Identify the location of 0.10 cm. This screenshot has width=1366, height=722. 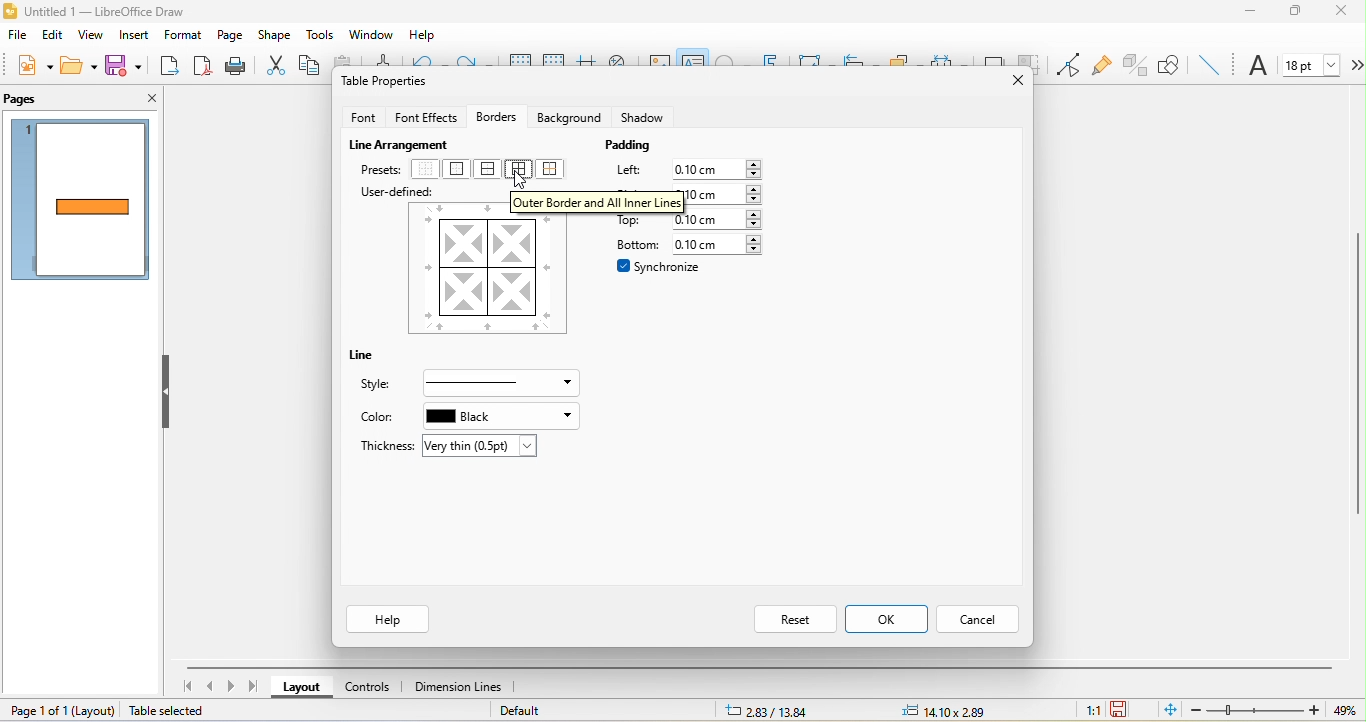
(722, 168).